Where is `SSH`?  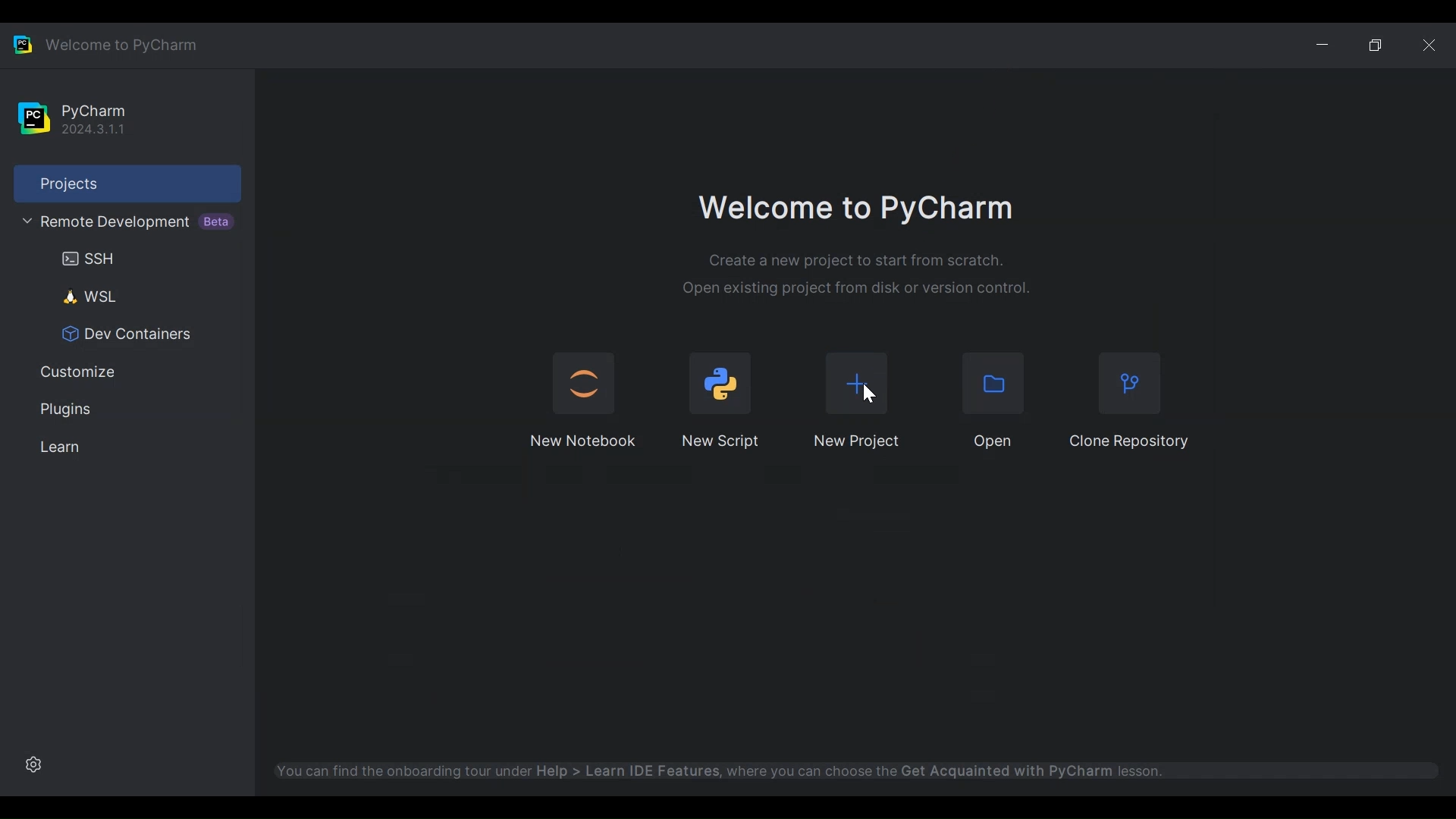
SSH is located at coordinates (83, 259).